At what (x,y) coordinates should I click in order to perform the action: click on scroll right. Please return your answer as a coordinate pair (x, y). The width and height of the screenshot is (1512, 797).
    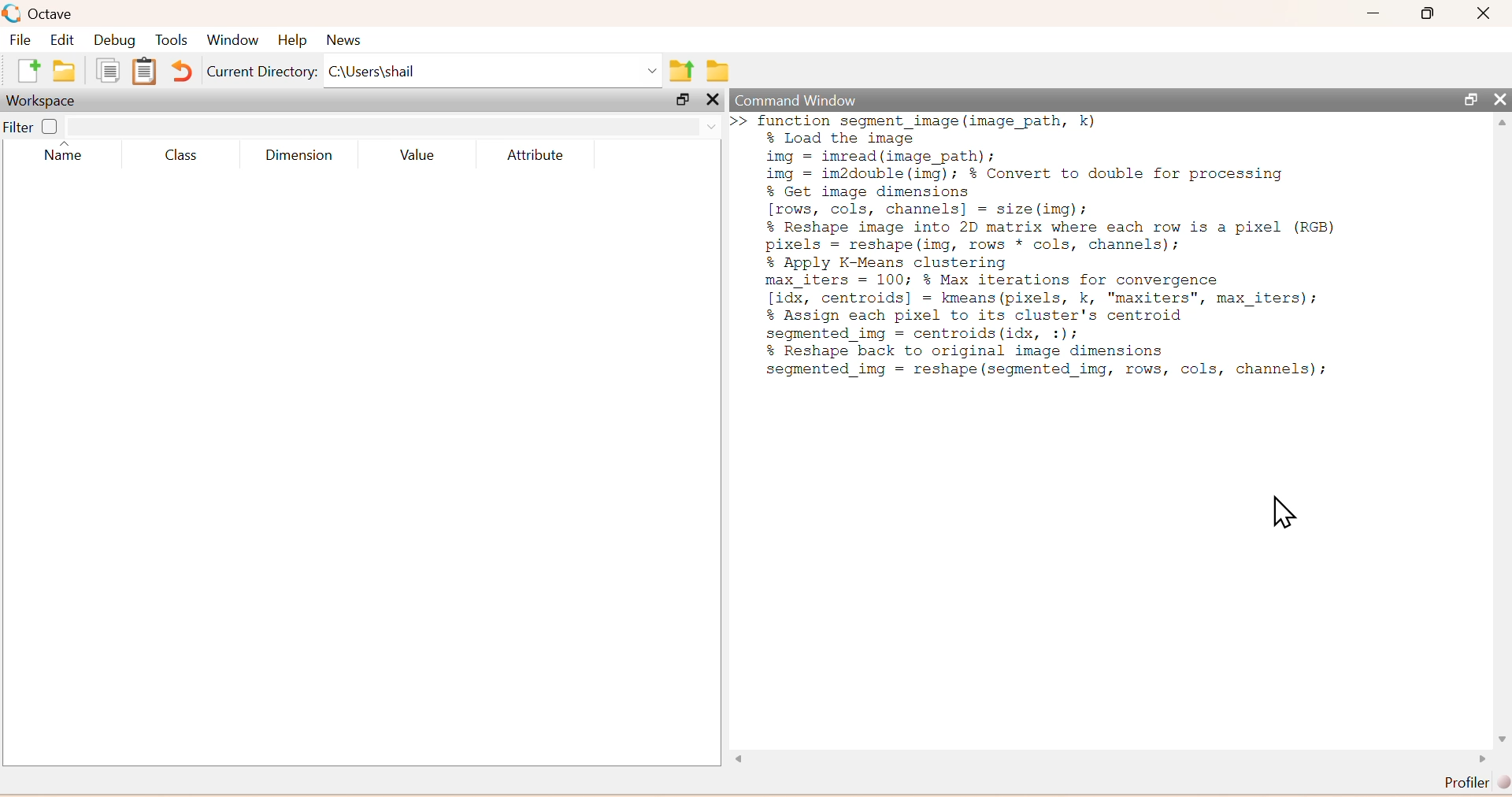
    Looking at the image, I should click on (1483, 760).